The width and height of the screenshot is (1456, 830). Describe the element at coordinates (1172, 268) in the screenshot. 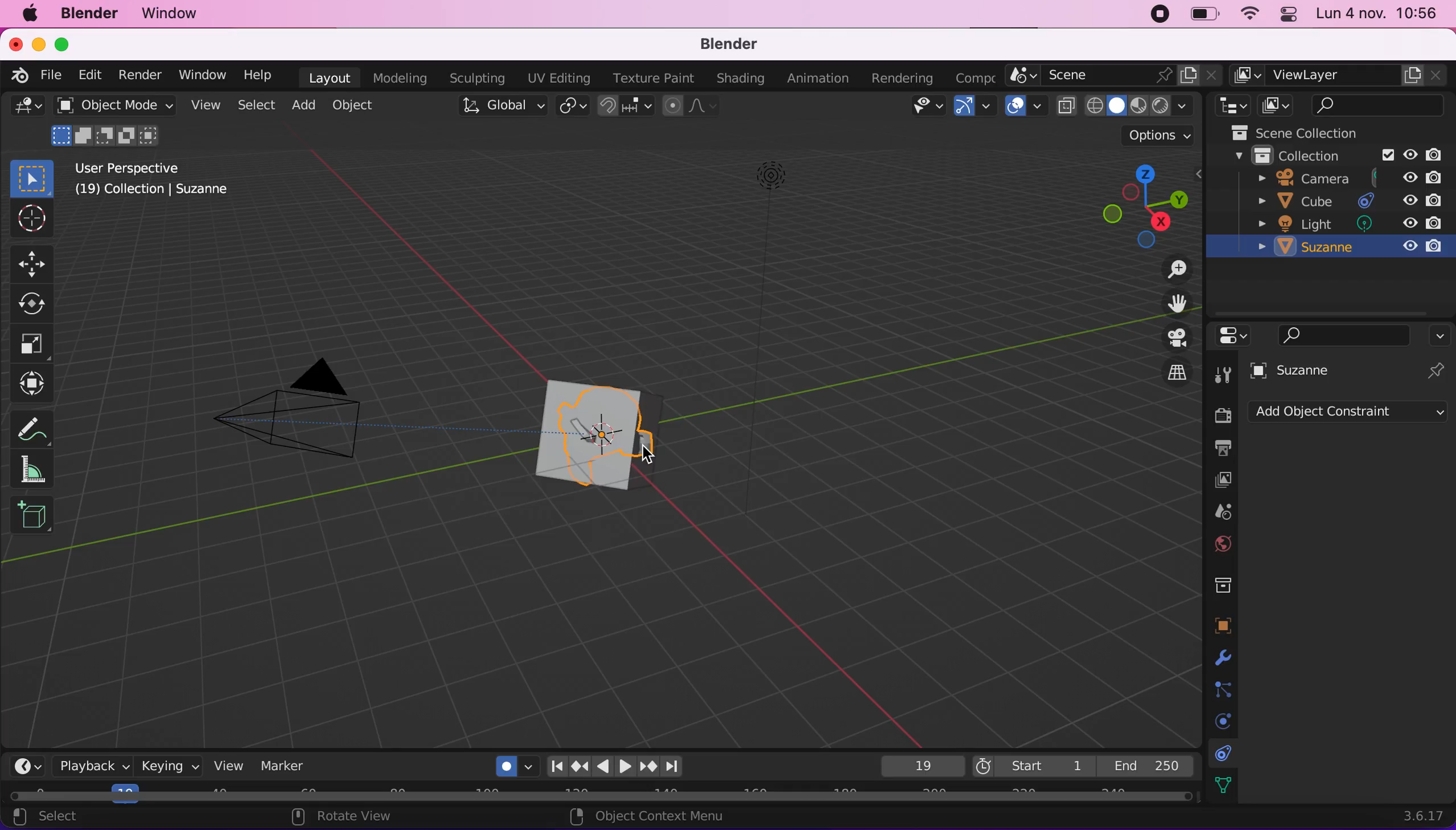

I see `zoom in/out` at that location.